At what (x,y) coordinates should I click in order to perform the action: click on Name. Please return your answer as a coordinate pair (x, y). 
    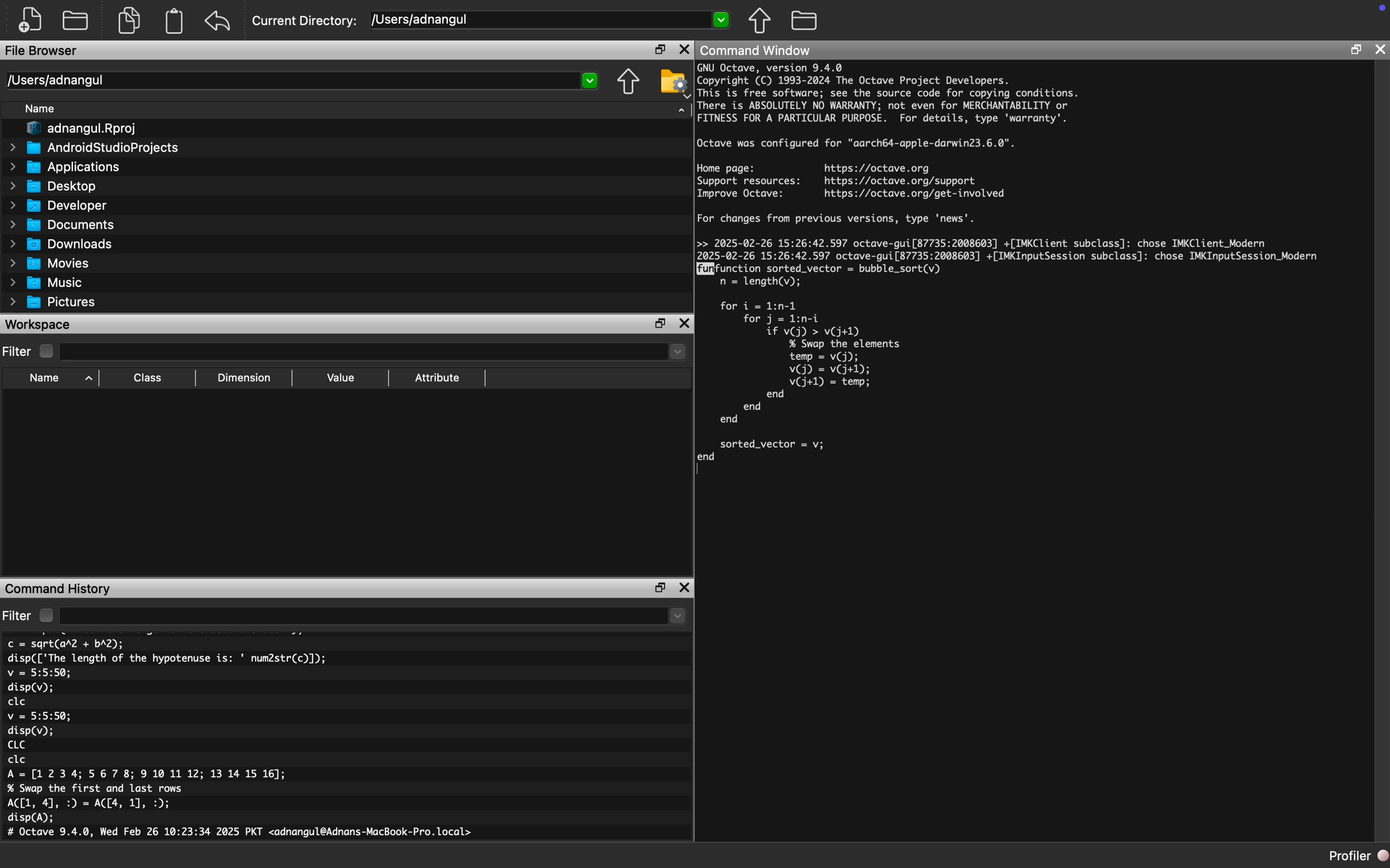
    Looking at the image, I should click on (41, 109).